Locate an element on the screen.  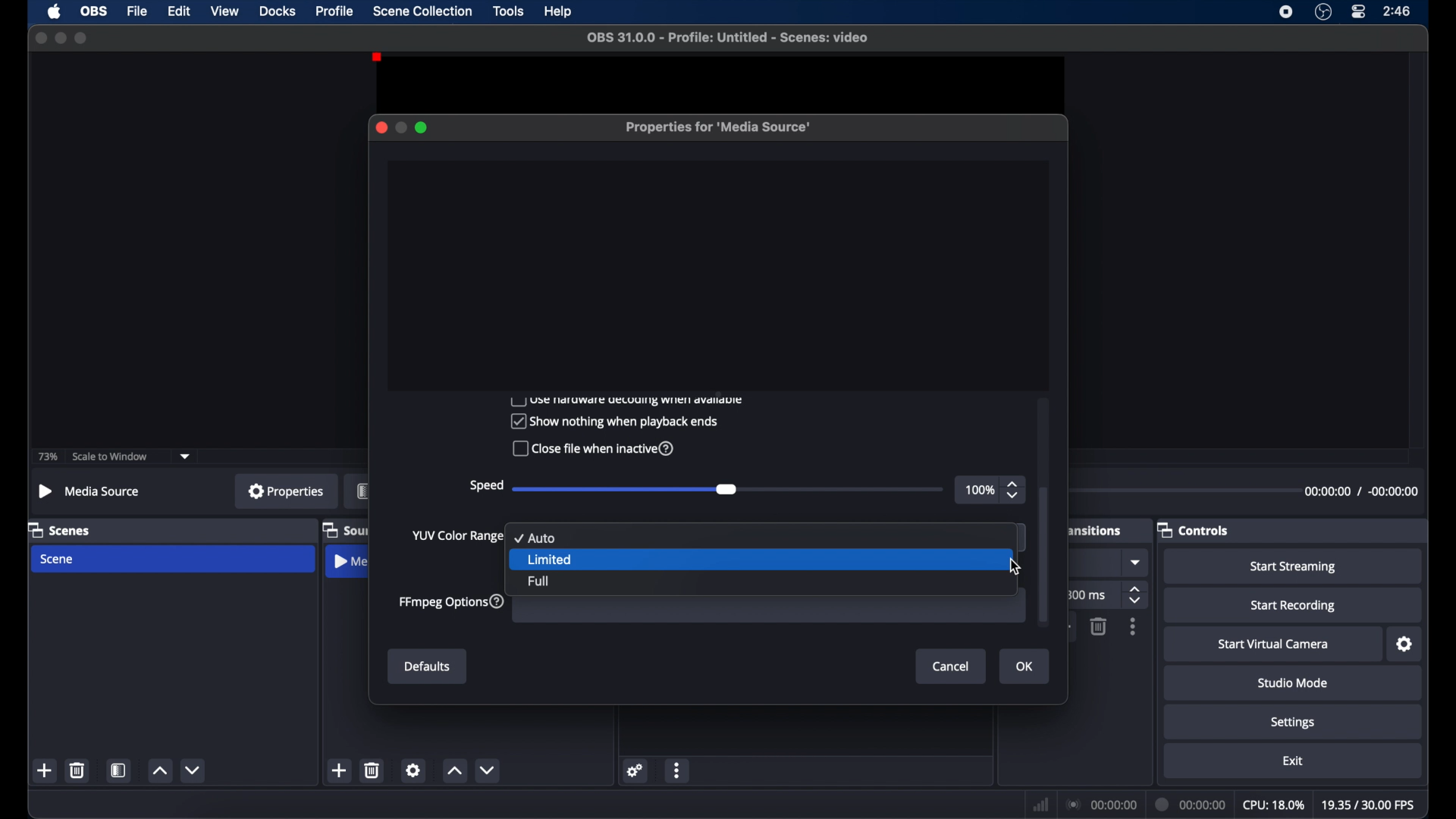
sources is located at coordinates (345, 529).